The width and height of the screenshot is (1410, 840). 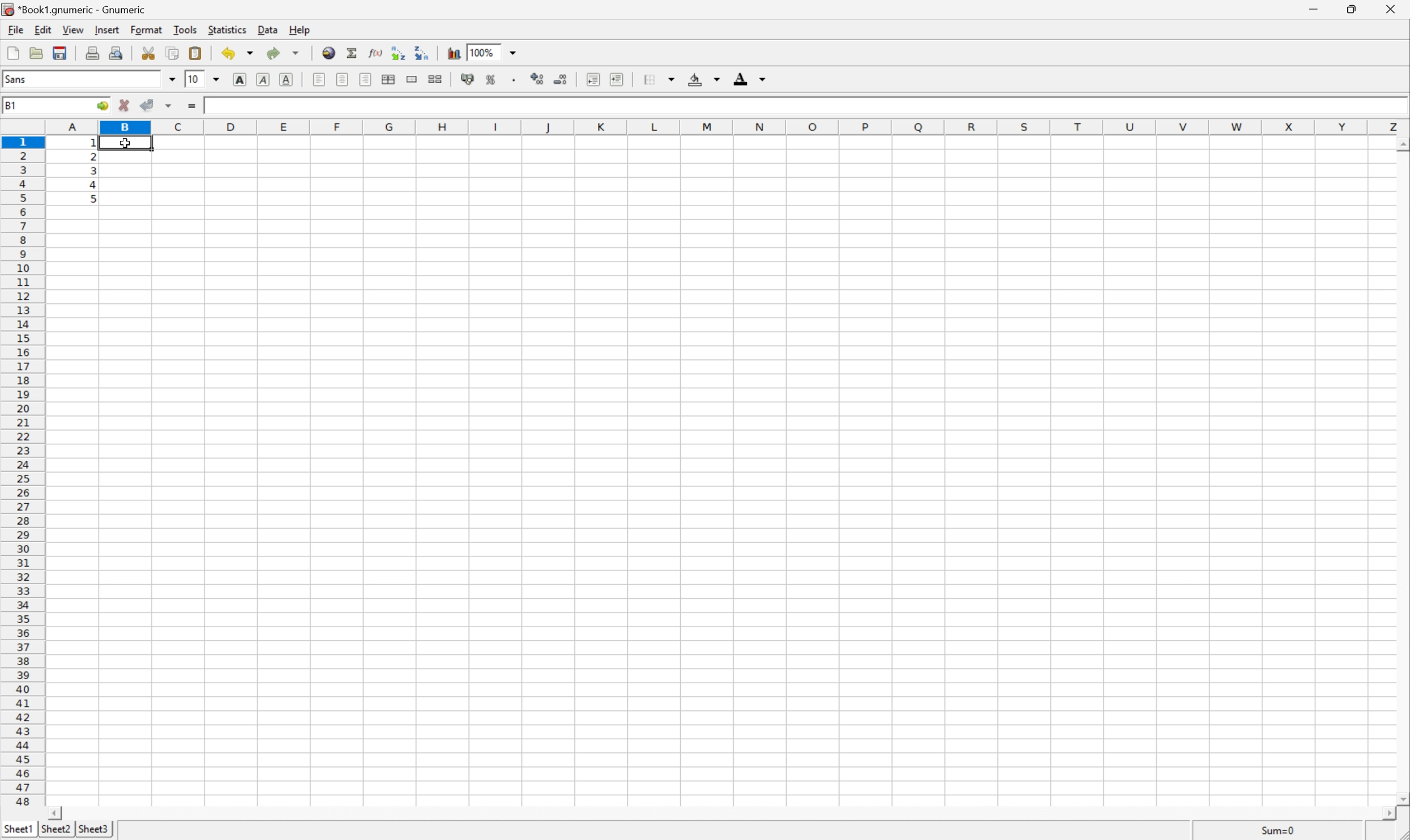 I want to click on , so click(x=378, y=109).